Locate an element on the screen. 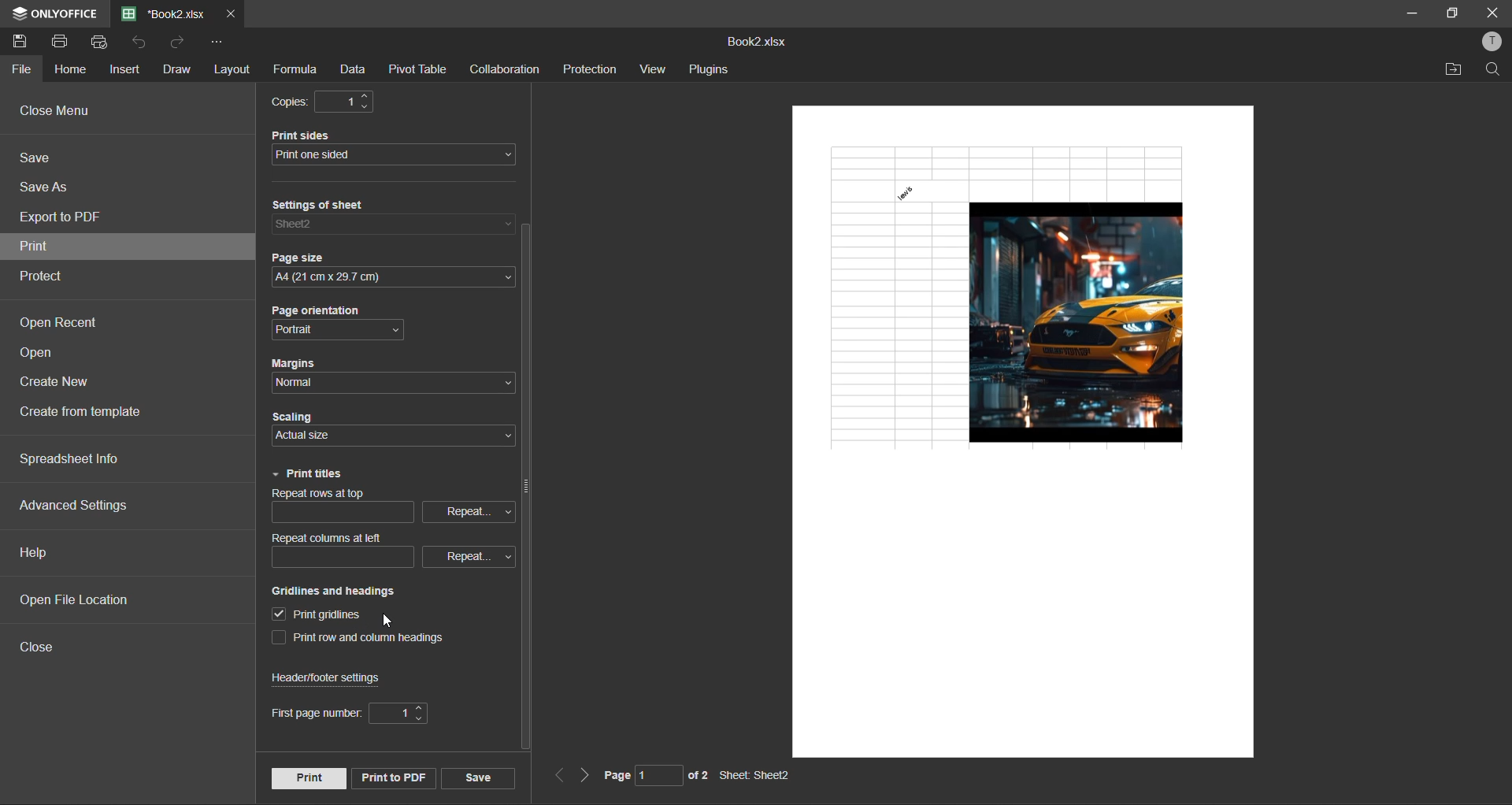  spreadsheet info is located at coordinates (72, 461).